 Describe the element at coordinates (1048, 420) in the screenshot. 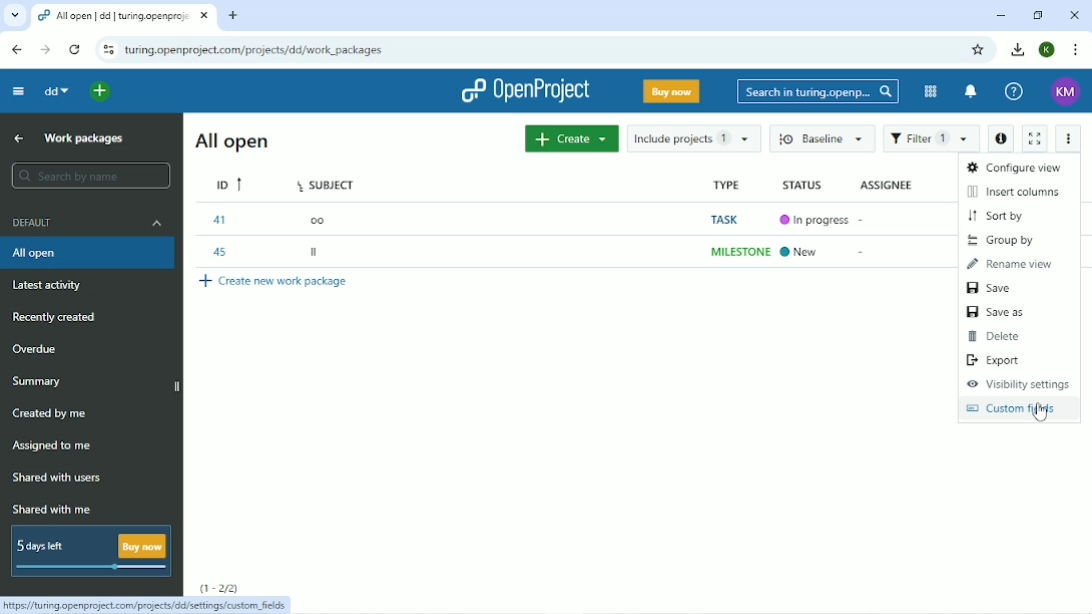

I see `cursor` at that location.